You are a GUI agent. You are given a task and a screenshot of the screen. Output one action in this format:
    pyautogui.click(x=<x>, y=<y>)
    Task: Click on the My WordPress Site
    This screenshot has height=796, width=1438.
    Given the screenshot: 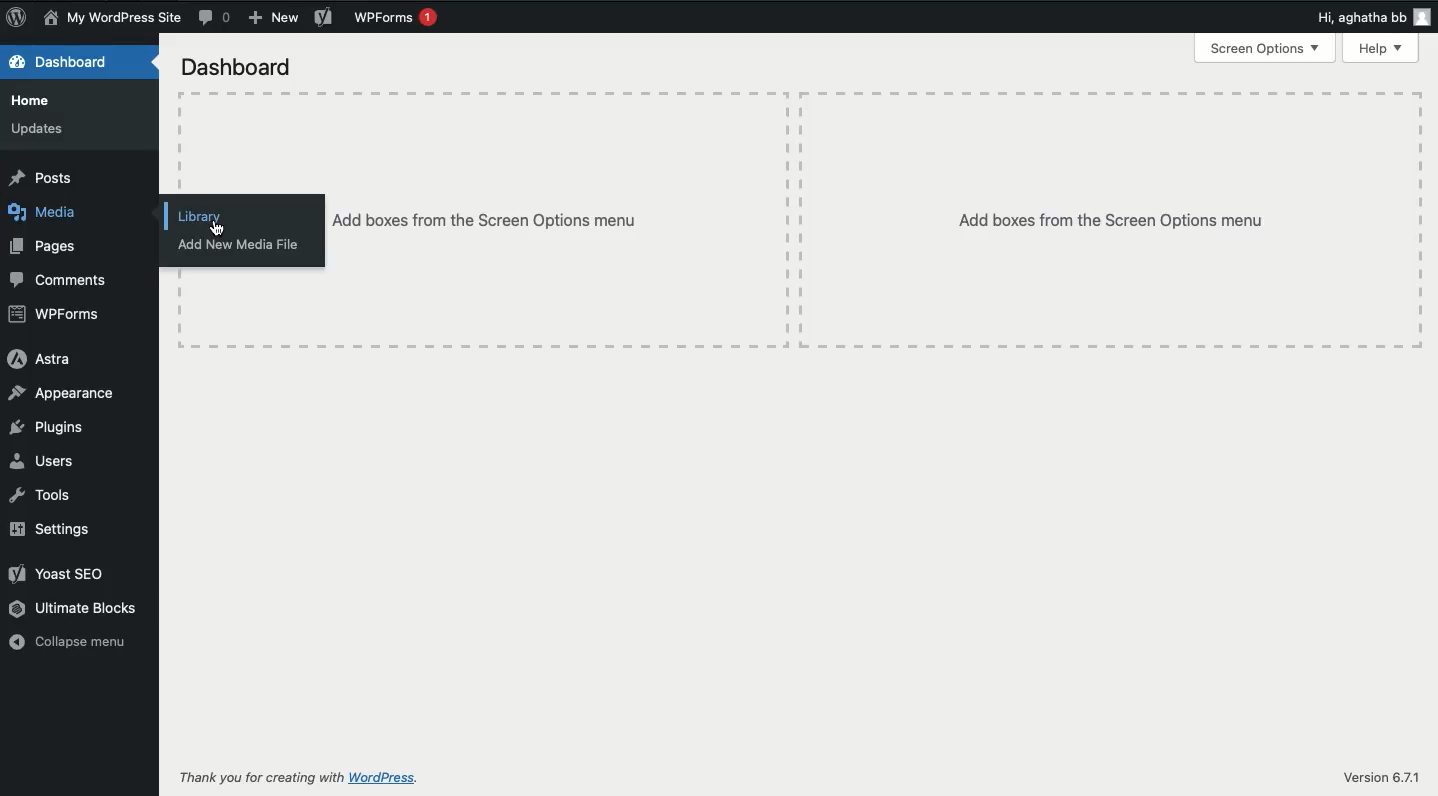 What is the action you would take?
    pyautogui.click(x=112, y=19)
    